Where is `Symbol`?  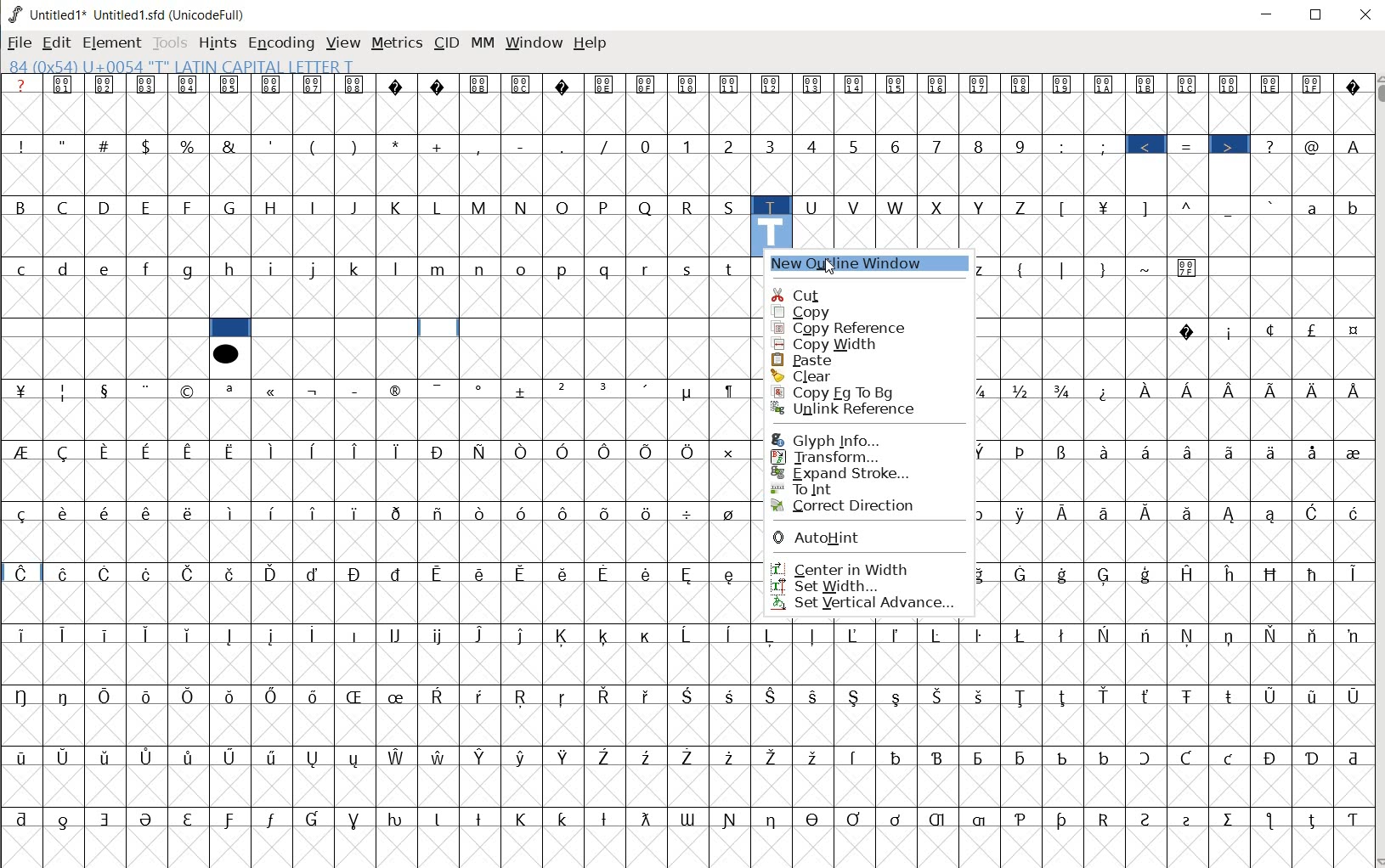
Symbol is located at coordinates (65, 695).